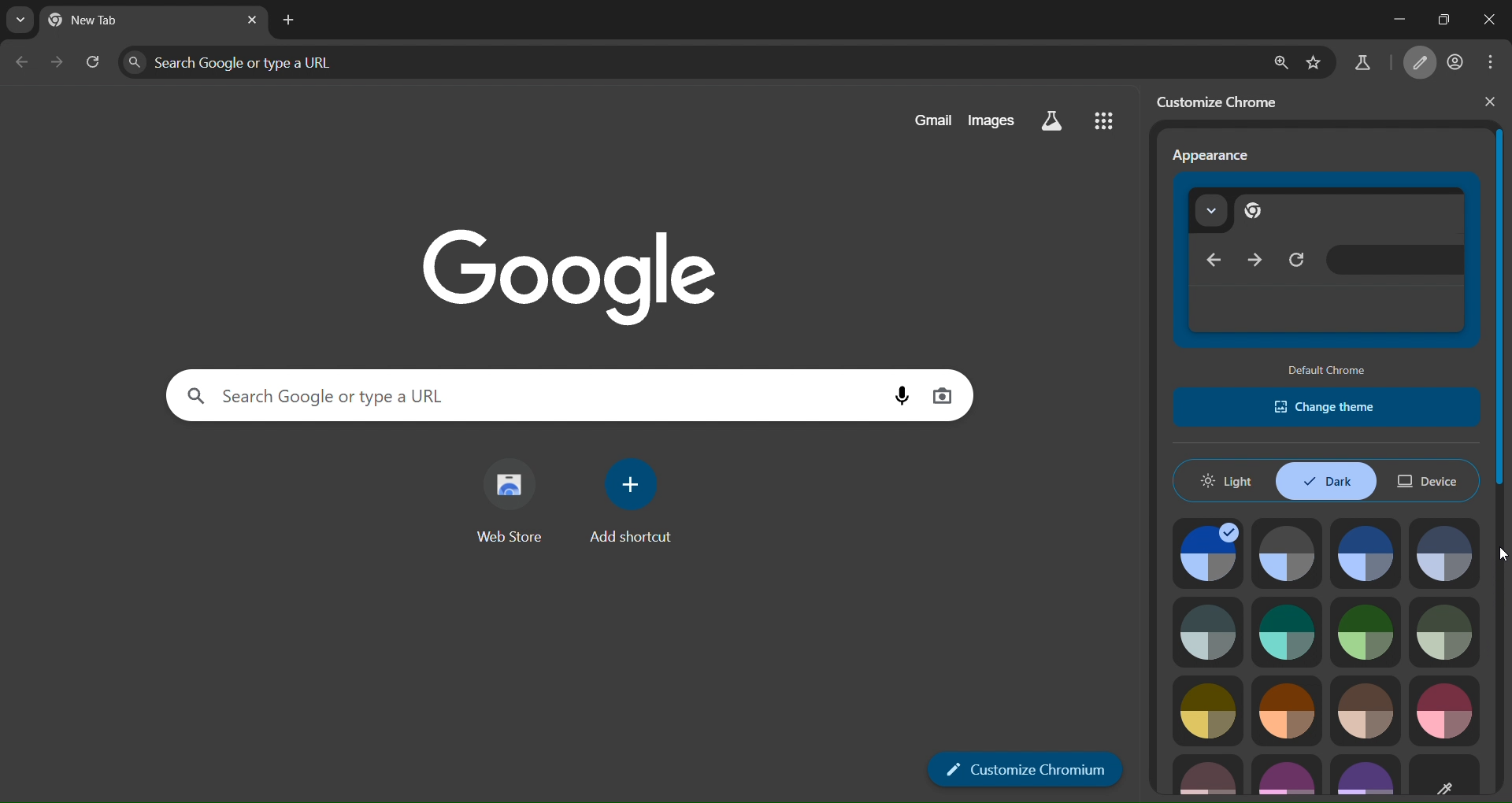 The height and width of the screenshot is (803, 1512). Describe the element at coordinates (1423, 64) in the screenshot. I see `customize chromium` at that location.